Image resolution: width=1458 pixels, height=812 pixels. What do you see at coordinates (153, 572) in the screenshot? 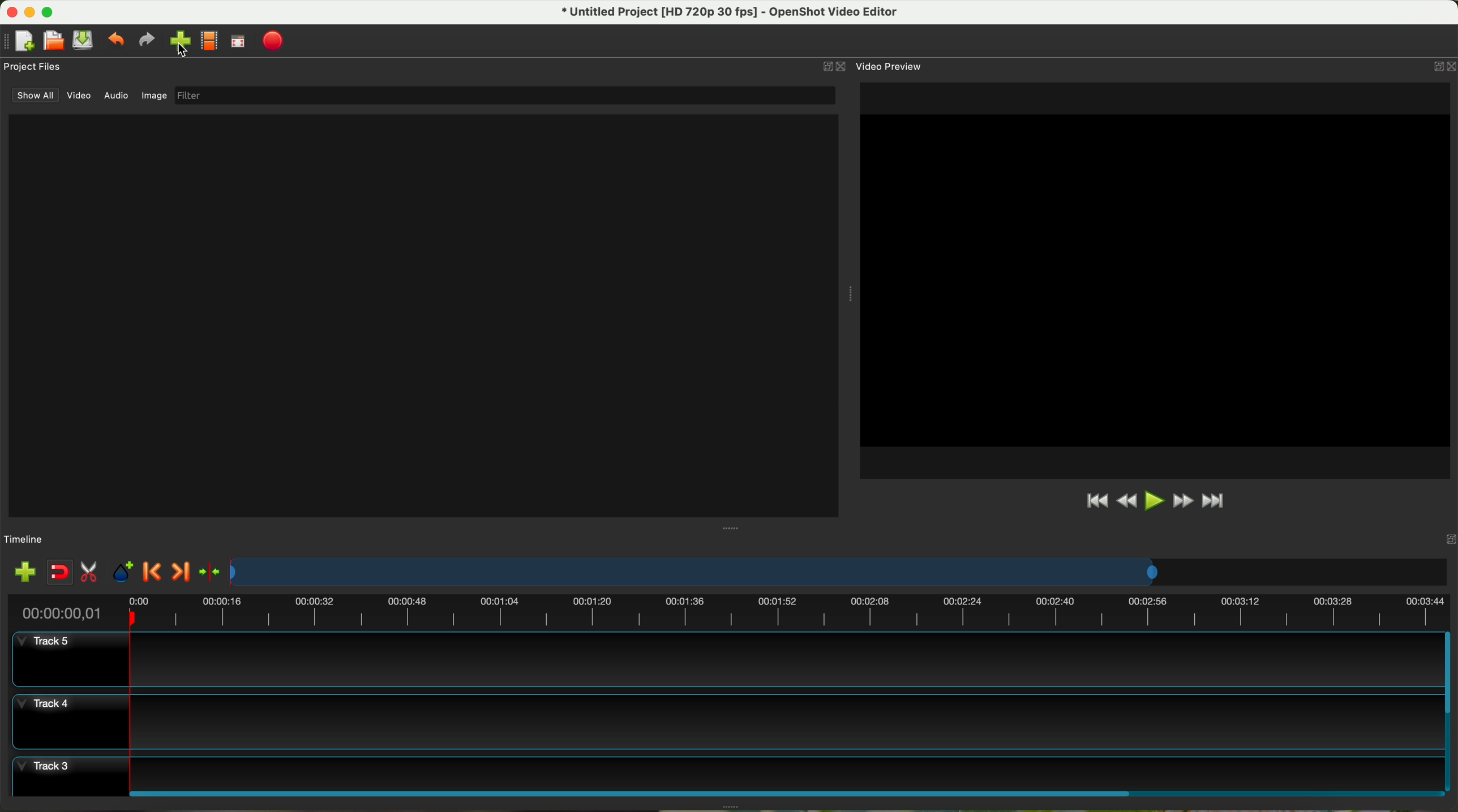
I see `previous marker` at bounding box center [153, 572].